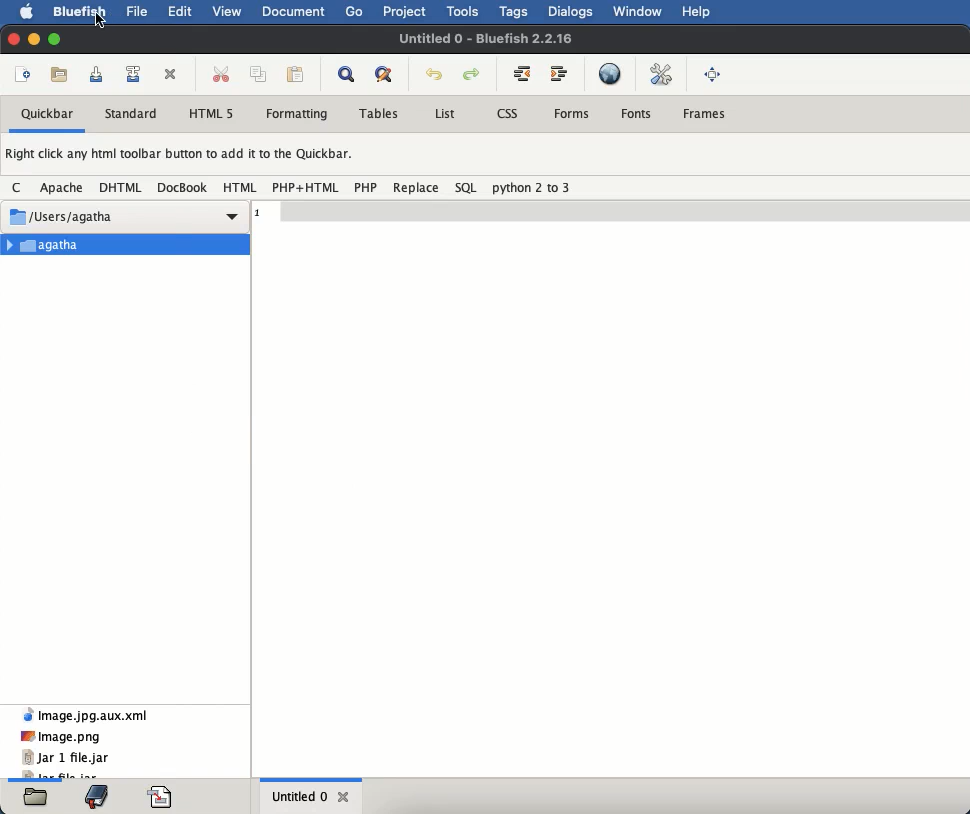  What do you see at coordinates (131, 114) in the screenshot?
I see `standard` at bounding box center [131, 114].